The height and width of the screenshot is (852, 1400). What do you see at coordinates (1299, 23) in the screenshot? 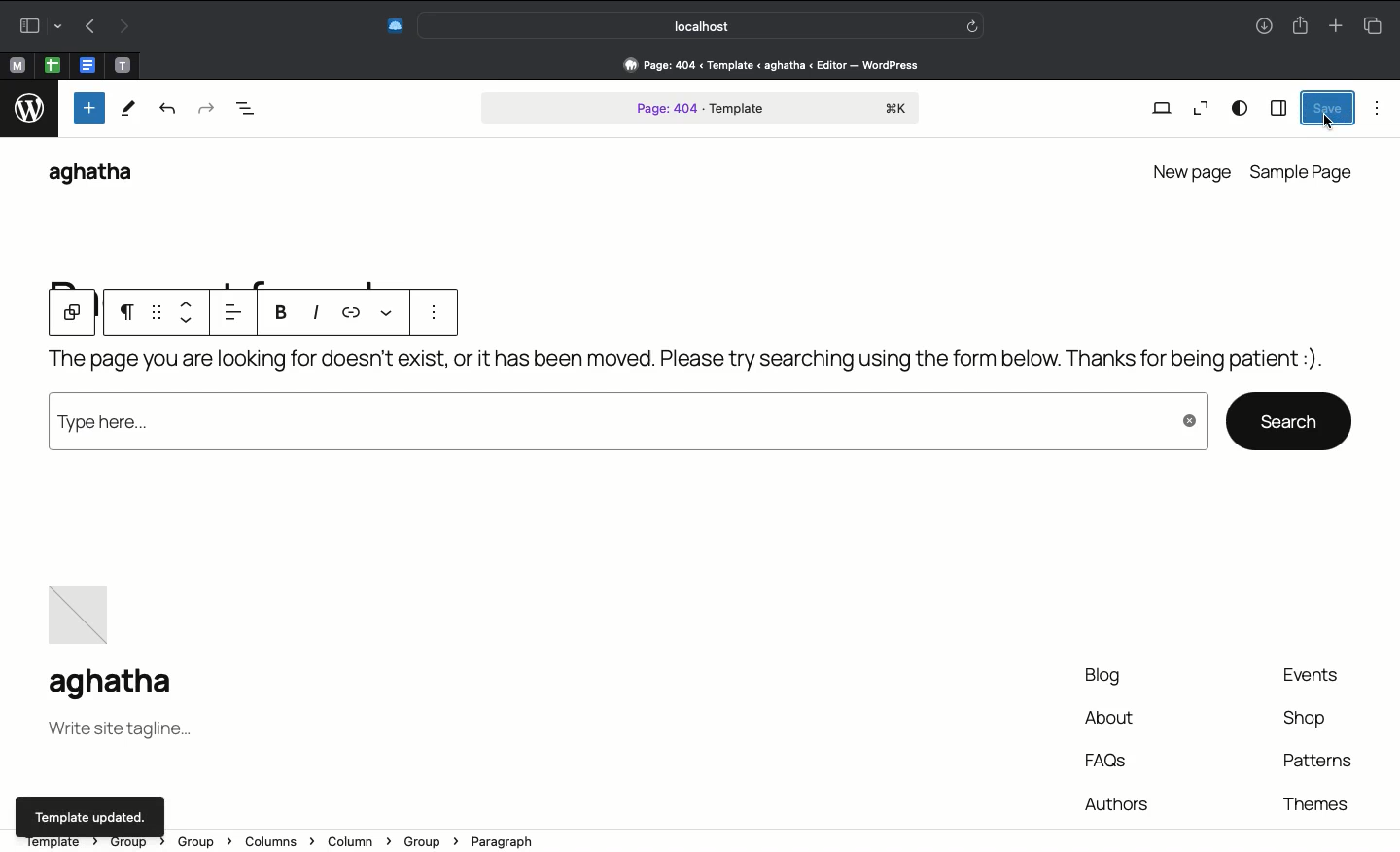
I see `Share` at bounding box center [1299, 23].